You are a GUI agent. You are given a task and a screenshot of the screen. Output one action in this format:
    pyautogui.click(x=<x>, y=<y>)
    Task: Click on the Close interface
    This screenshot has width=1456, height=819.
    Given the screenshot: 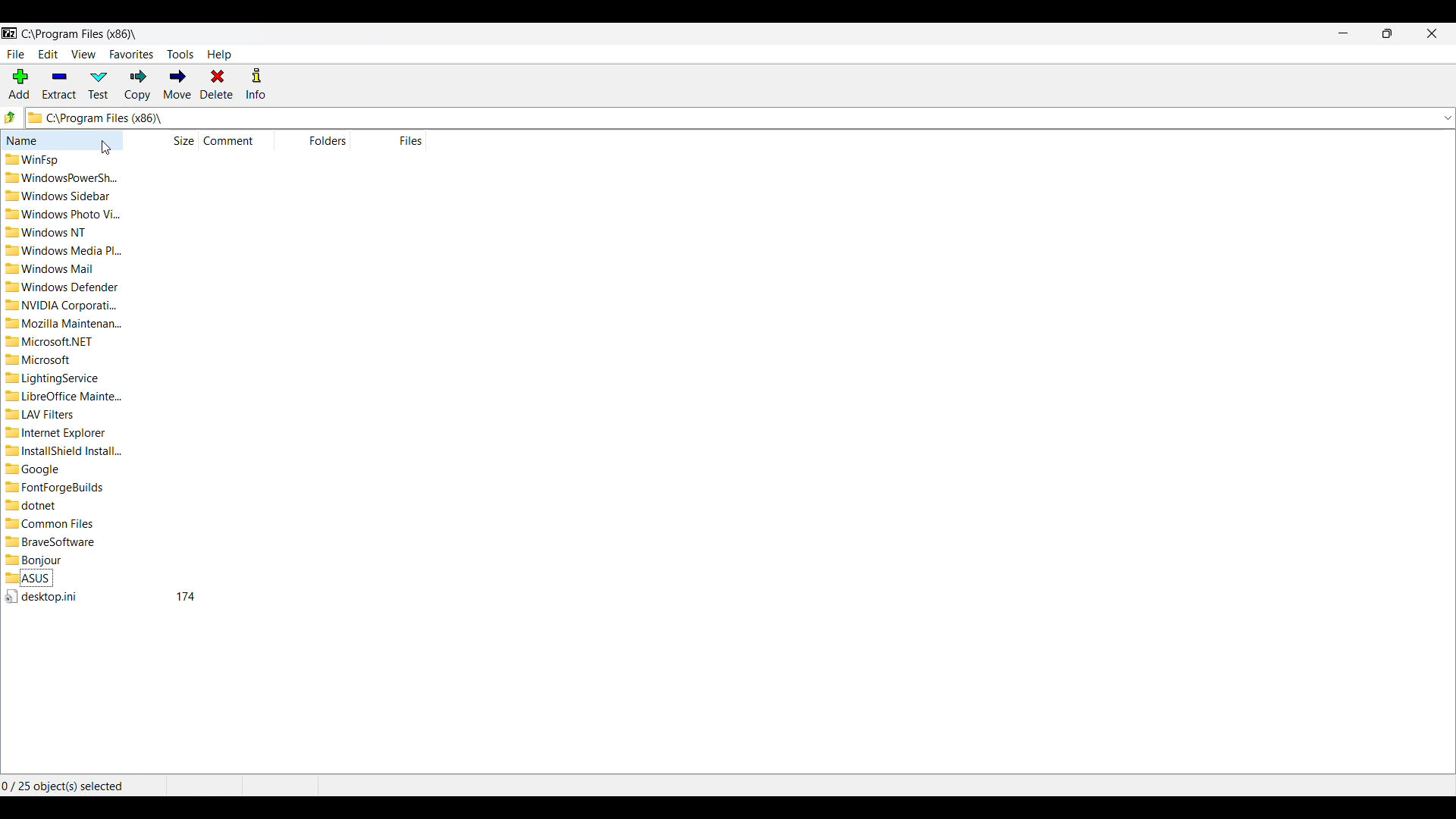 What is the action you would take?
    pyautogui.click(x=1432, y=33)
    